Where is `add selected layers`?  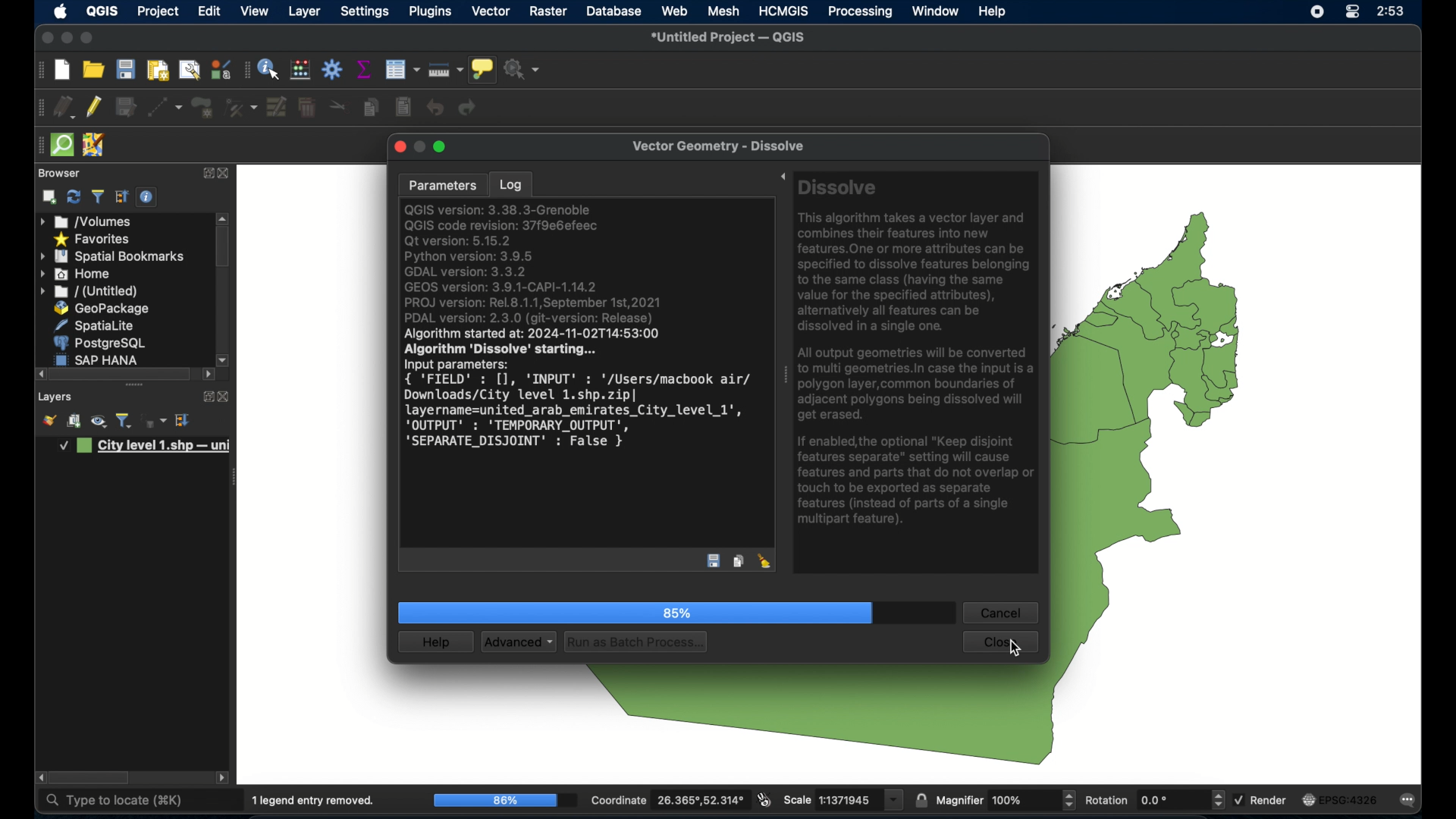 add selected layers is located at coordinates (49, 197).